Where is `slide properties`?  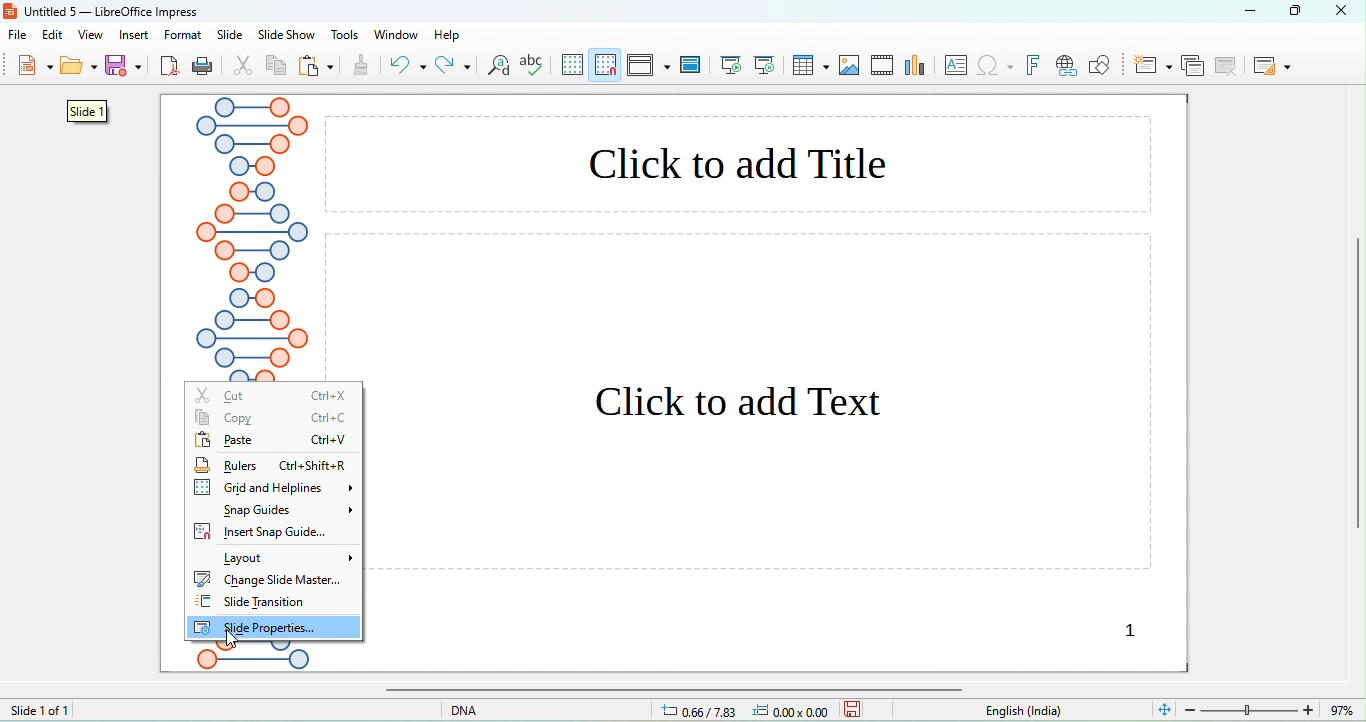
slide properties is located at coordinates (273, 627).